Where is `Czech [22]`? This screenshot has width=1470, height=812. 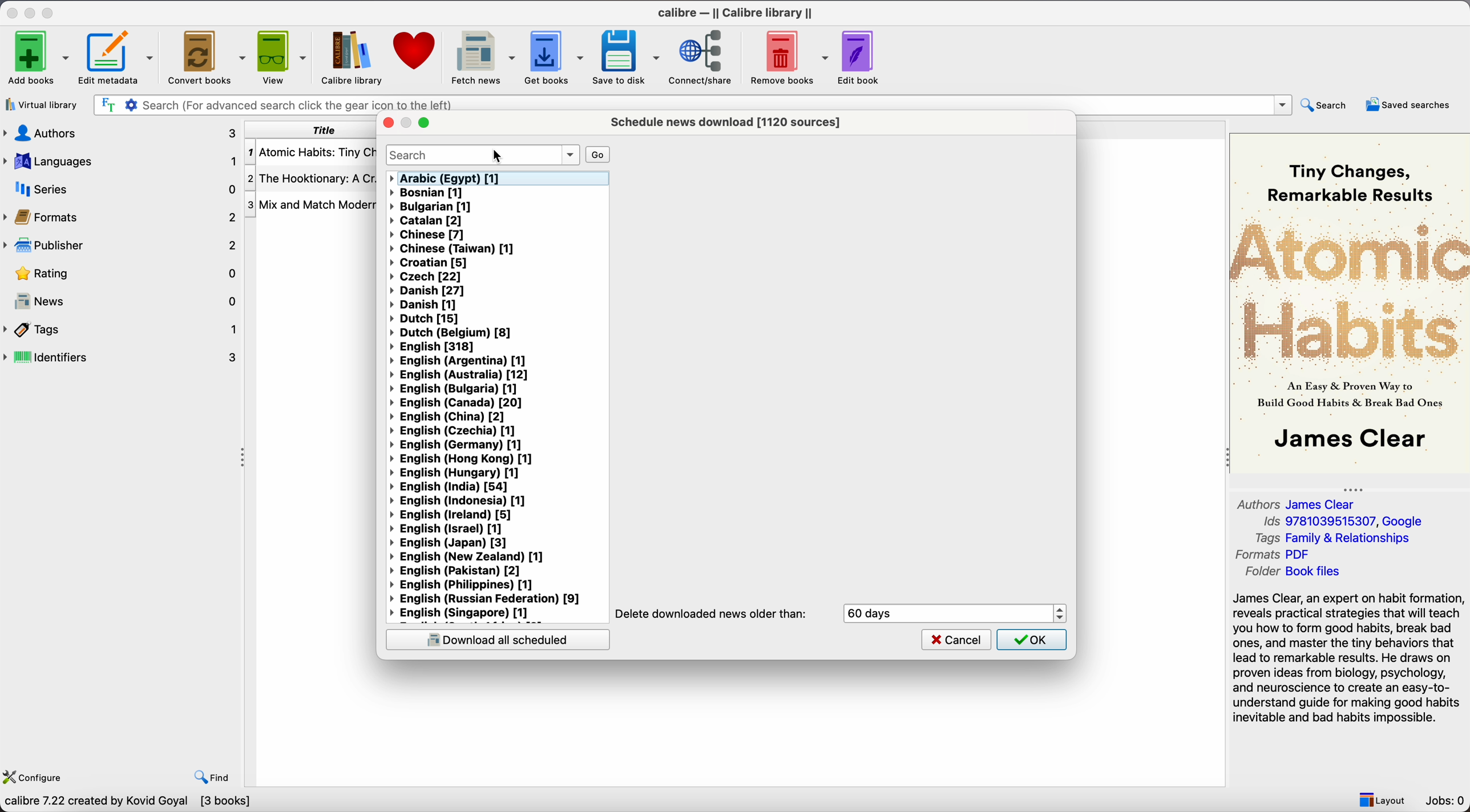 Czech [22] is located at coordinates (425, 276).